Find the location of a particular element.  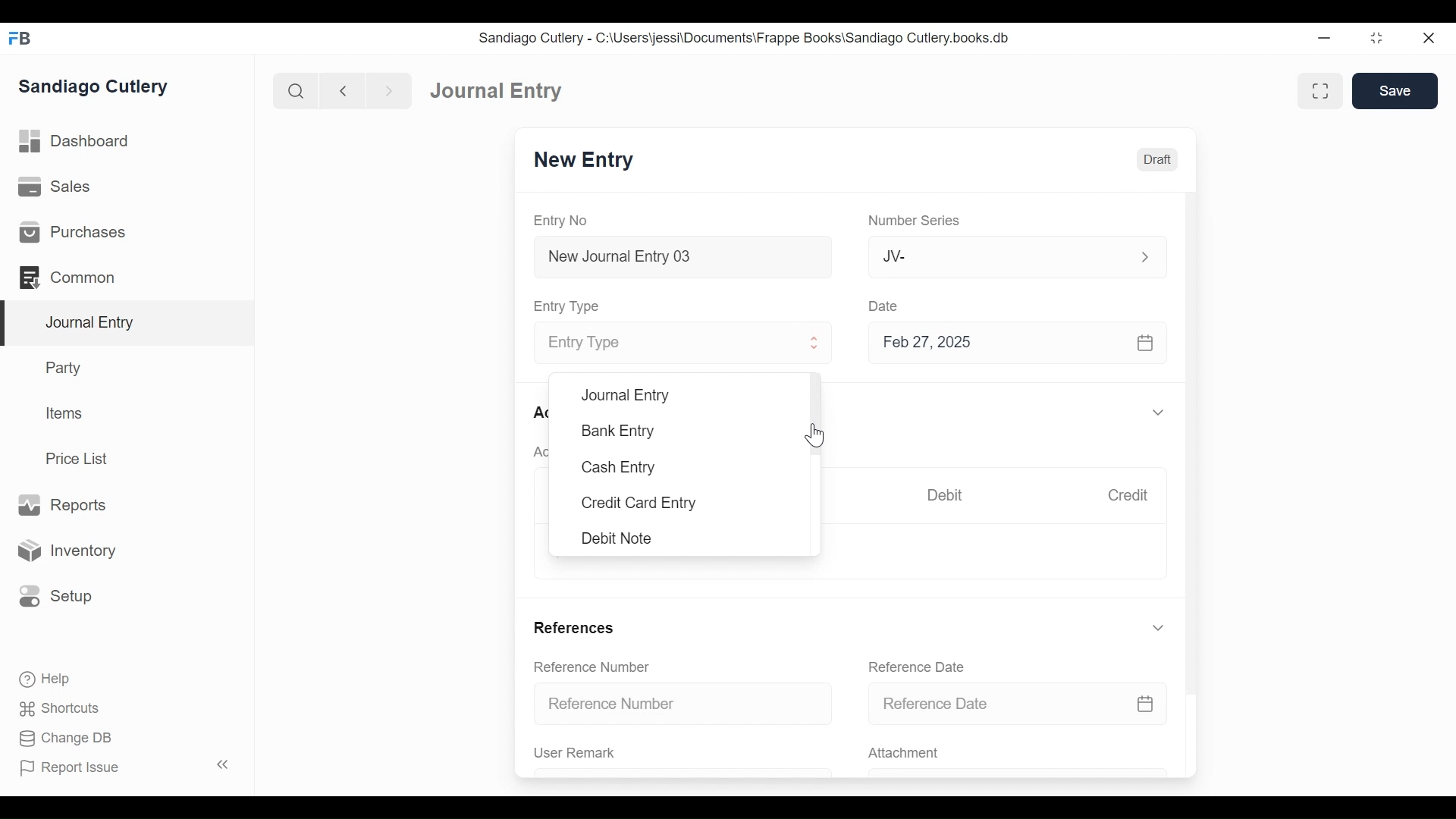

Vertical Scroll bar is located at coordinates (1194, 431).